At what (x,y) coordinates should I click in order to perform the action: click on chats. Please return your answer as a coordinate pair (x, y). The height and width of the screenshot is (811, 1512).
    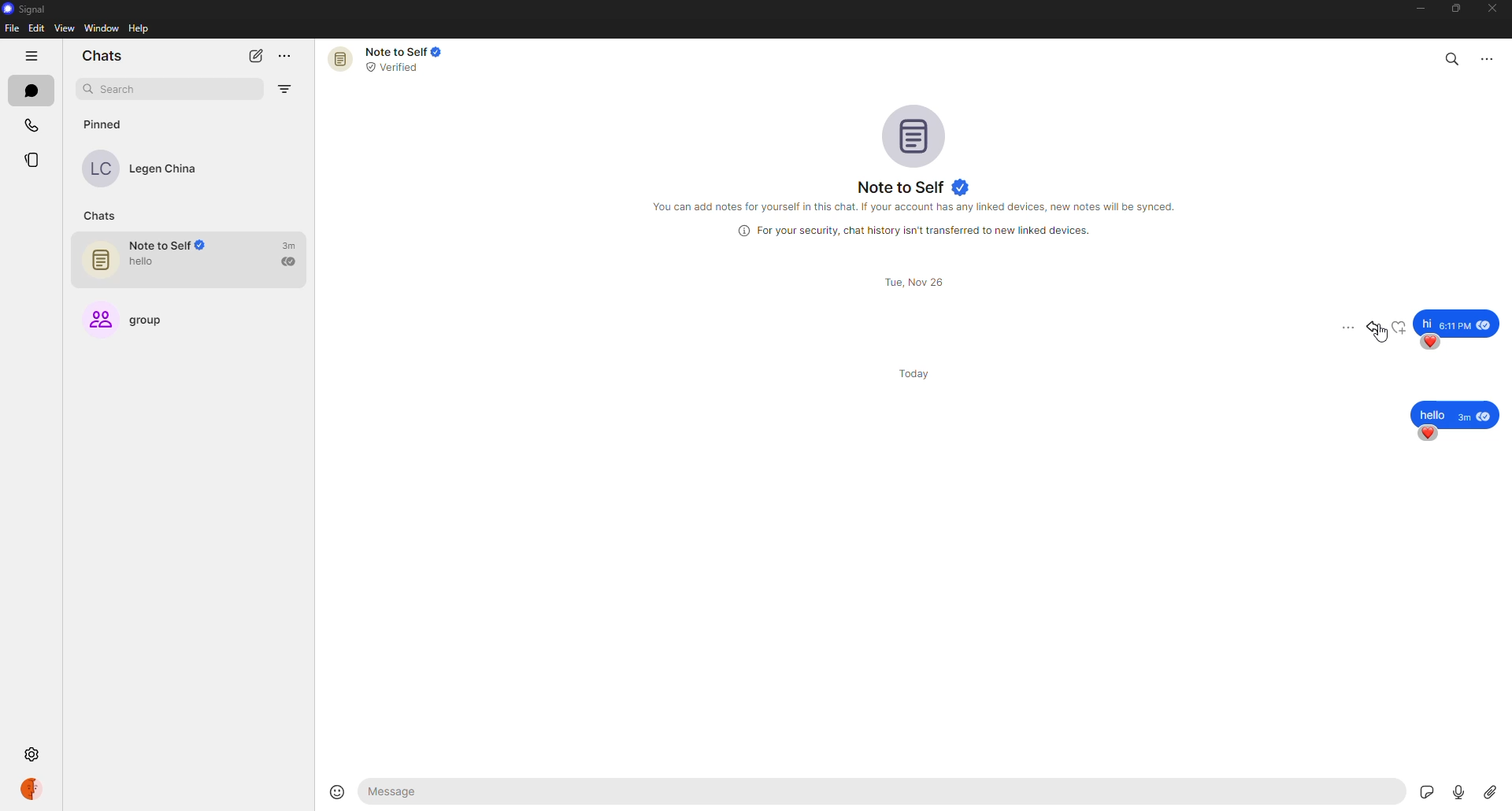
    Looking at the image, I should click on (104, 55).